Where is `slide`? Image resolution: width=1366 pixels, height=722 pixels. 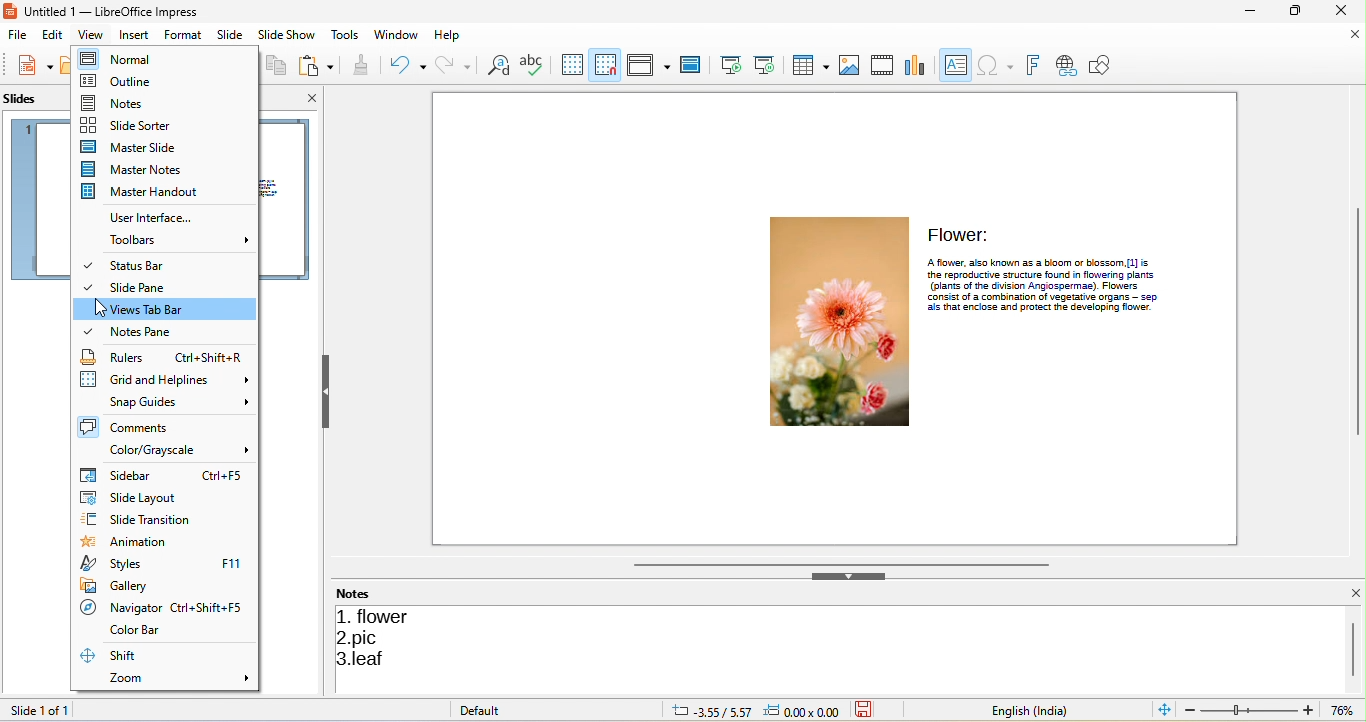
slide is located at coordinates (228, 35).